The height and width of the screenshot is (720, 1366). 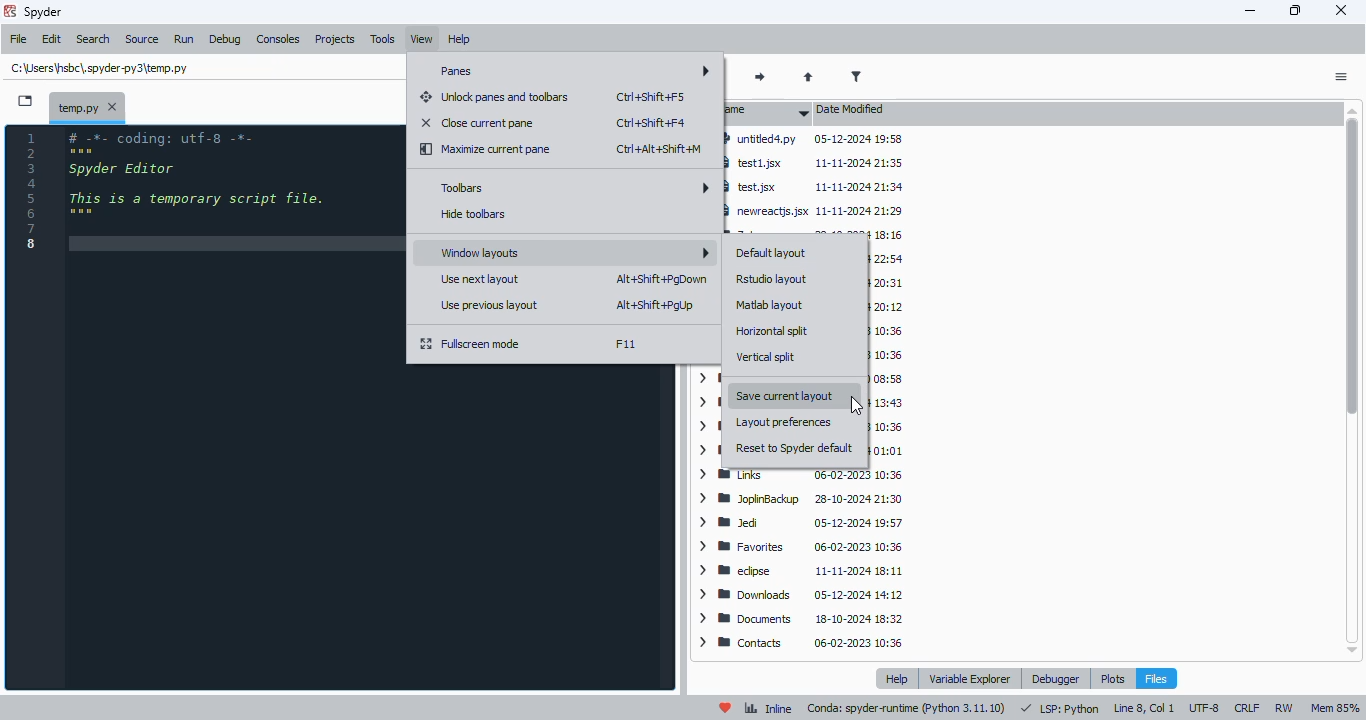 What do you see at coordinates (52, 40) in the screenshot?
I see `edit` at bounding box center [52, 40].